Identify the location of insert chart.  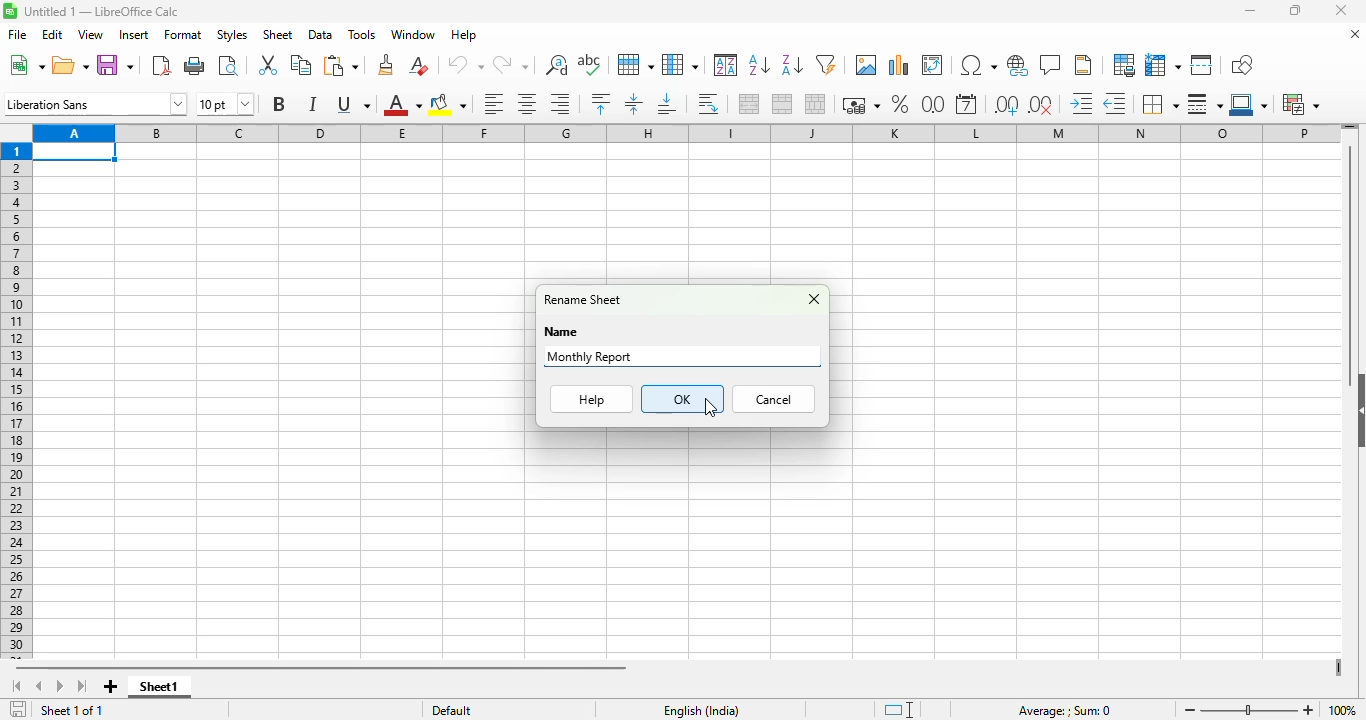
(897, 65).